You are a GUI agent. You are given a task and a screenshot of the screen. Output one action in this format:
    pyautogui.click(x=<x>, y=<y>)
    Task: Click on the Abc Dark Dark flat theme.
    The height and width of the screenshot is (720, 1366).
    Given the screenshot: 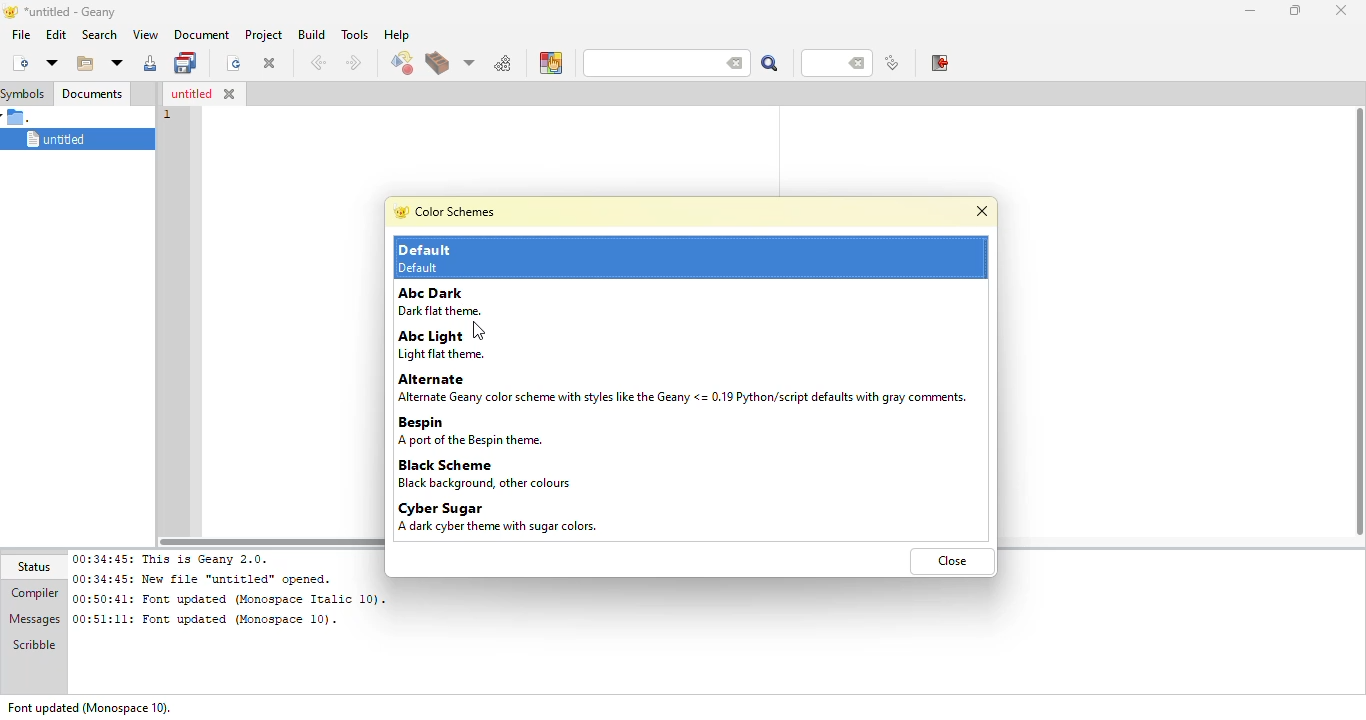 What is the action you would take?
    pyautogui.click(x=464, y=301)
    